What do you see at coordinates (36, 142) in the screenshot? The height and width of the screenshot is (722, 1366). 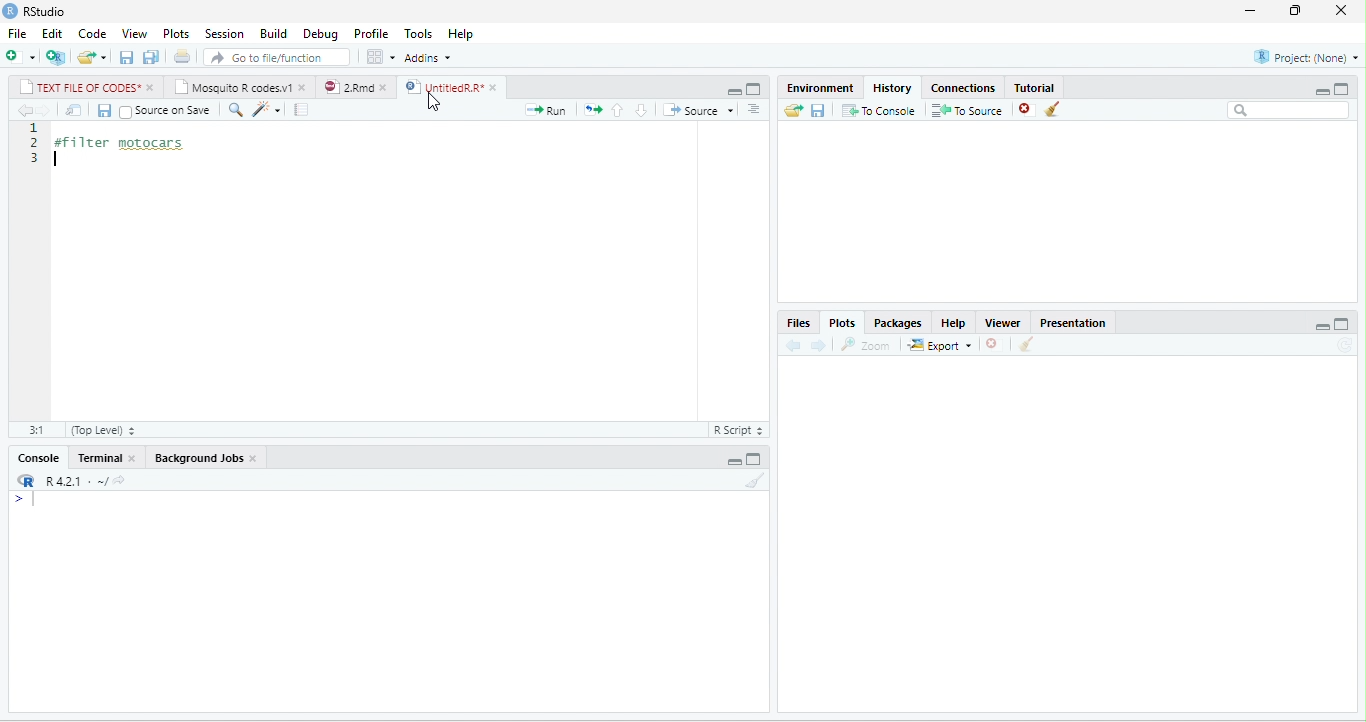 I see `2` at bounding box center [36, 142].